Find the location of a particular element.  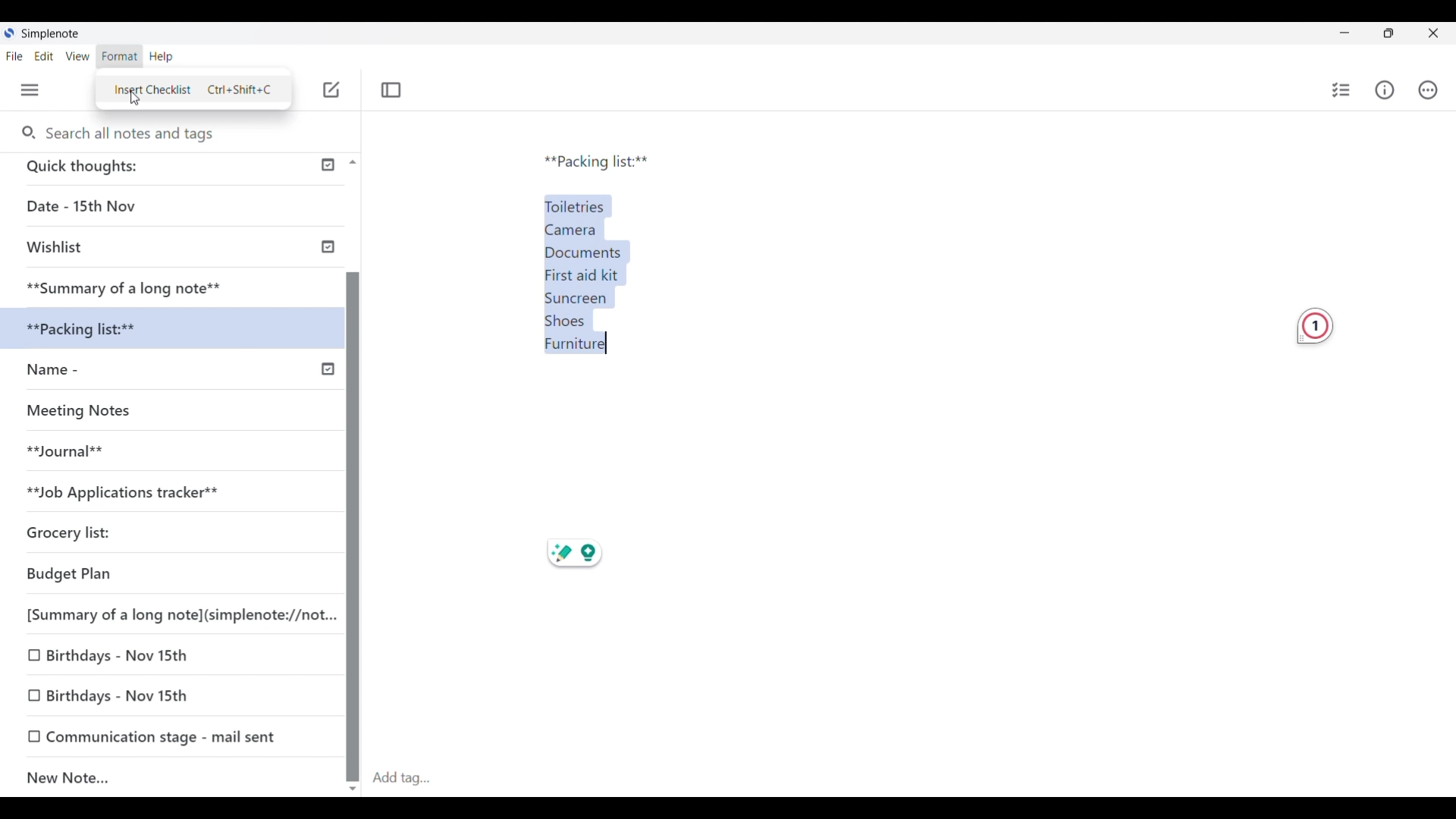

Format menu highlighted is located at coordinates (119, 57).